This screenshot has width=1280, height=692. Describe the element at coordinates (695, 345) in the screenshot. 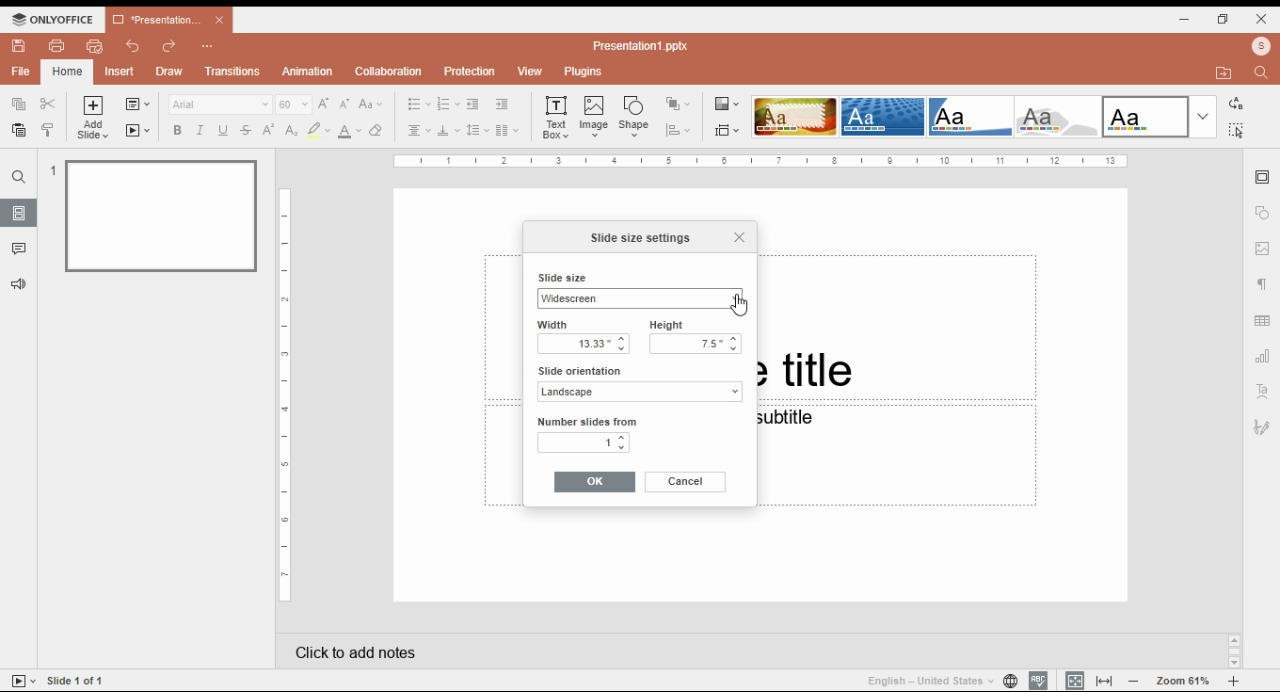

I see `7.5"` at that location.